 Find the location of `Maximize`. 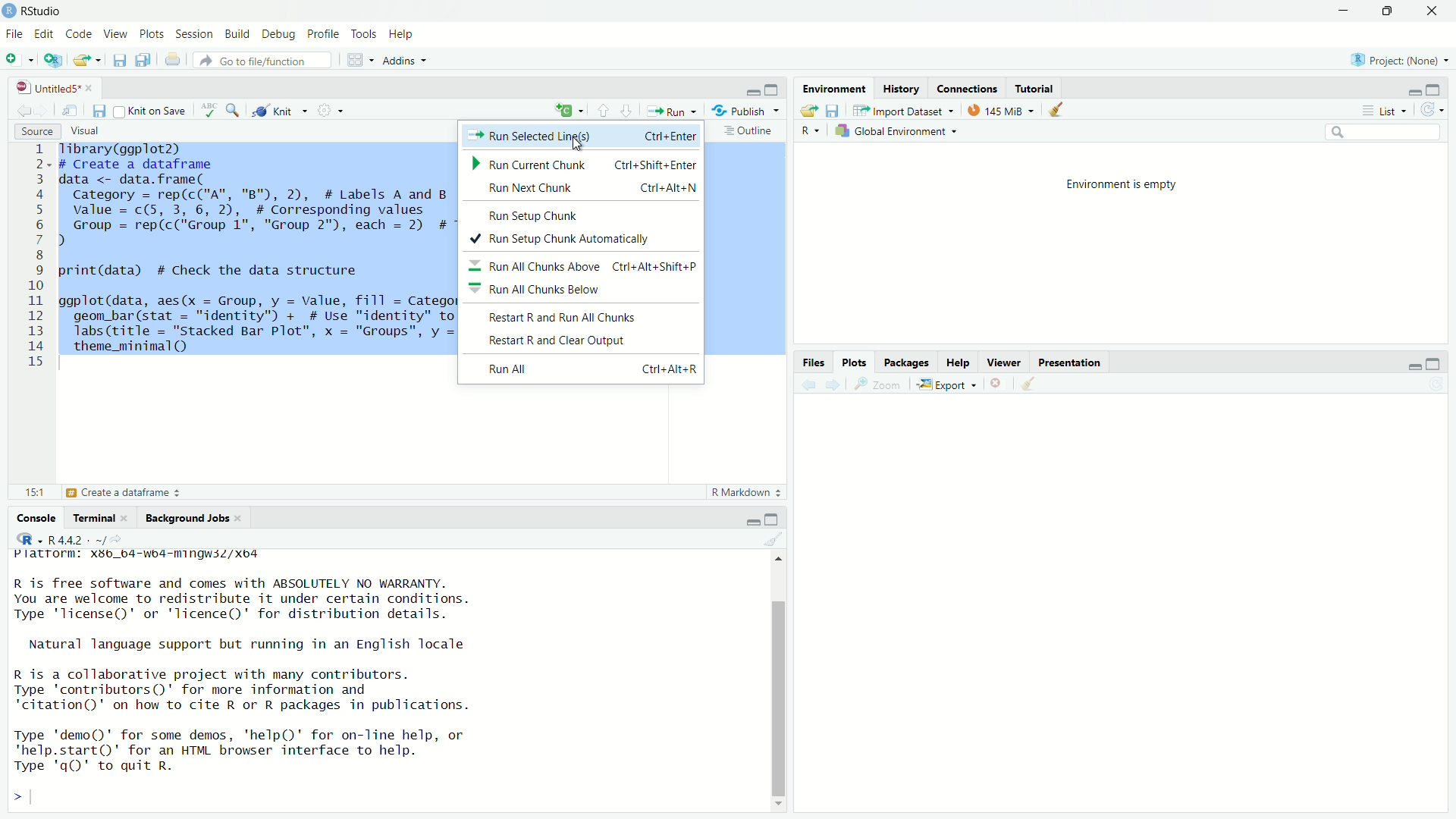

Maximize is located at coordinates (773, 89).